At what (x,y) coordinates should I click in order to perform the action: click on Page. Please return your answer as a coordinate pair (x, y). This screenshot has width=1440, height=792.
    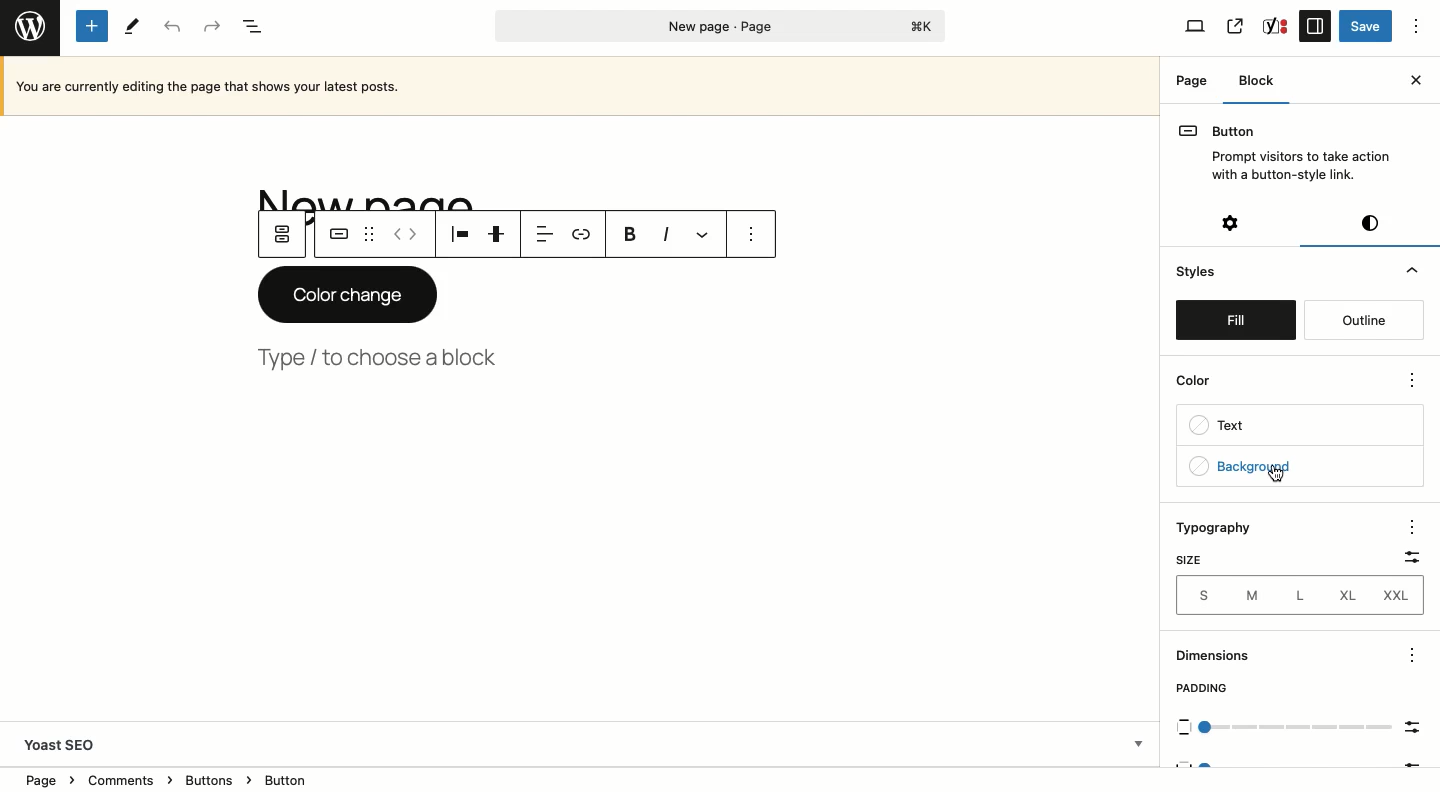
    Looking at the image, I should click on (1192, 80).